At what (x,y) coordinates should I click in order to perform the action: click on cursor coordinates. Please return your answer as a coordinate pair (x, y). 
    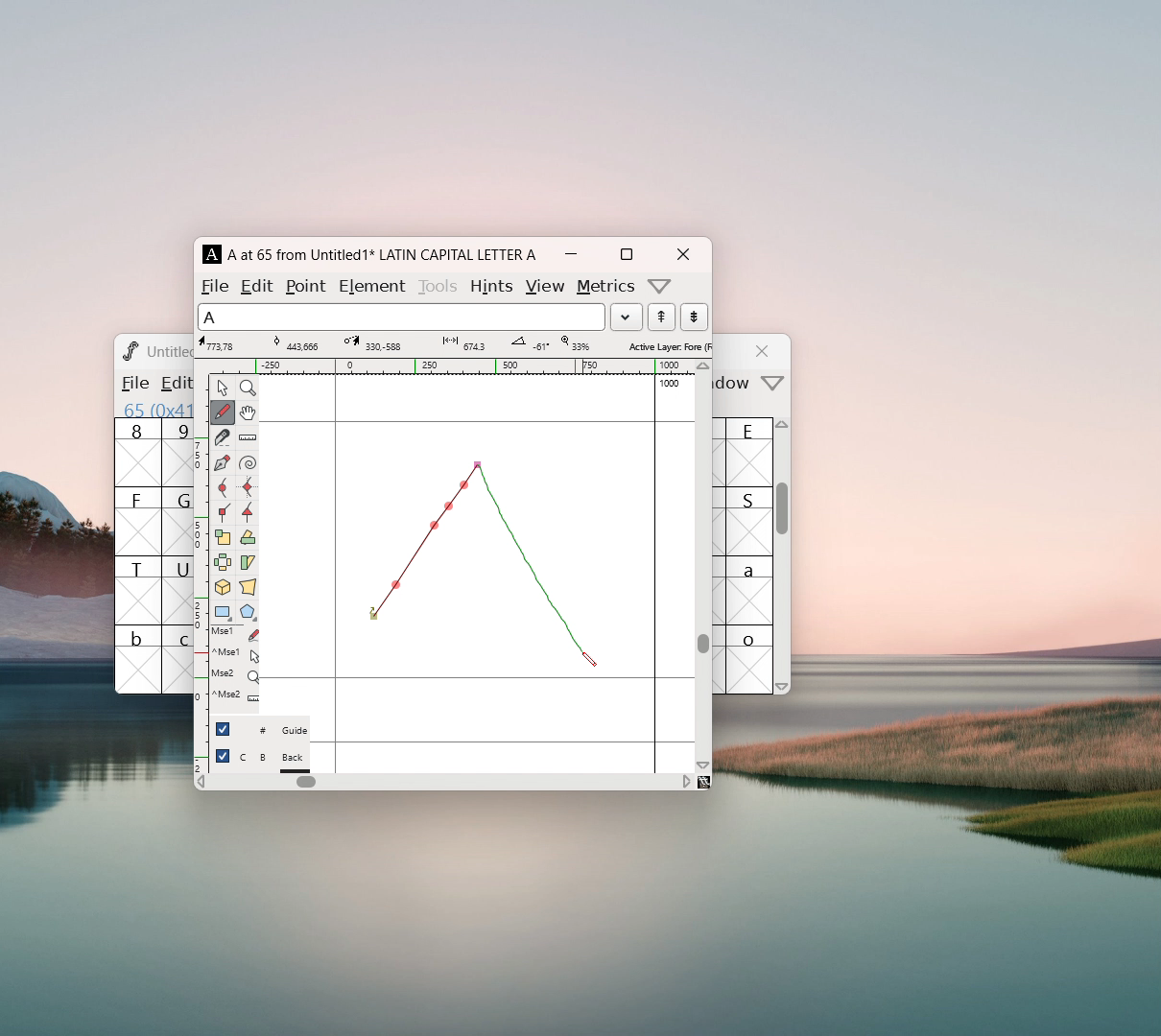
    Looking at the image, I should click on (222, 343).